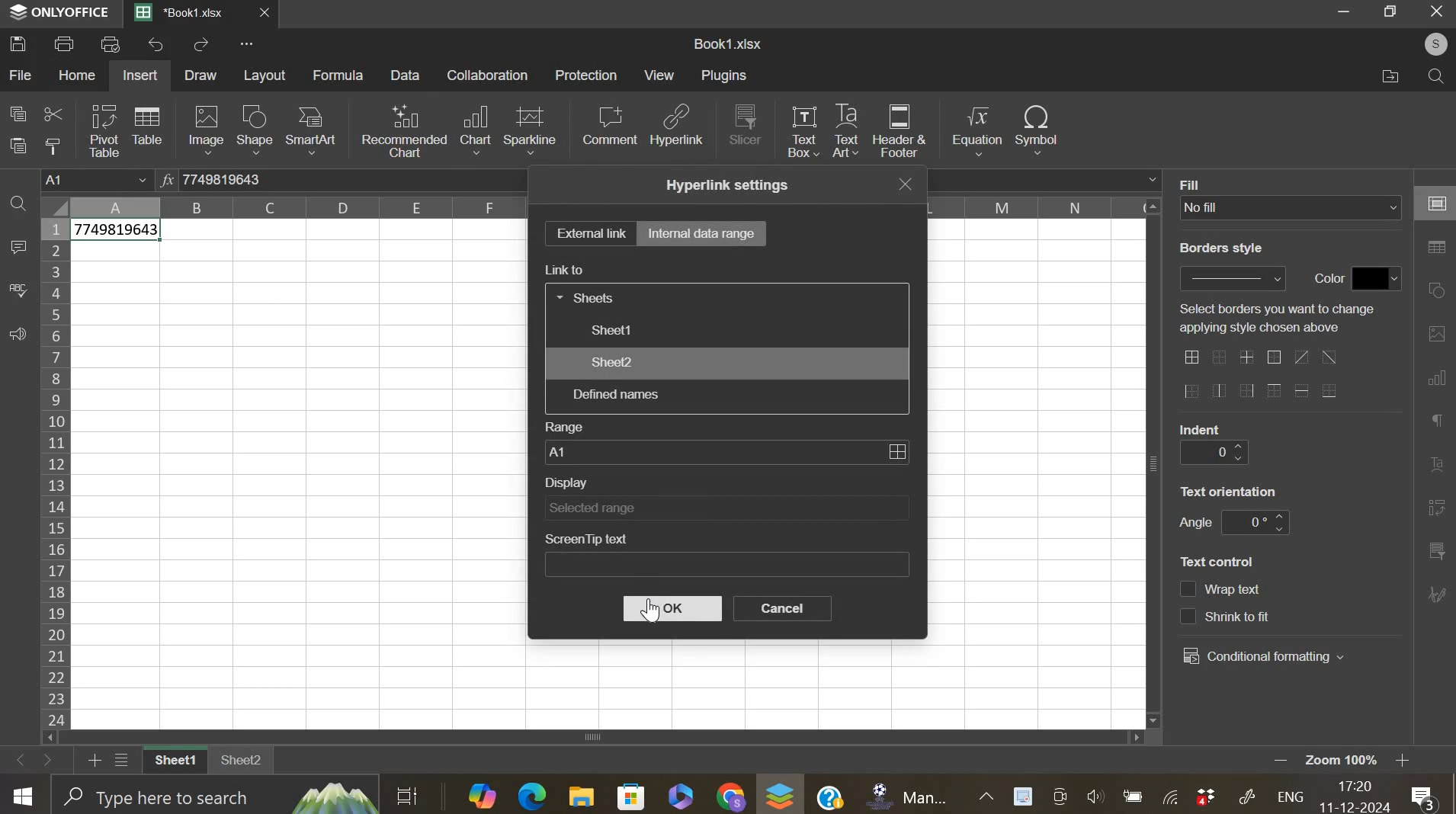 The height and width of the screenshot is (814, 1456). What do you see at coordinates (187, 14) in the screenshot?
I see `current sheets` at bounding box center [187, 14].